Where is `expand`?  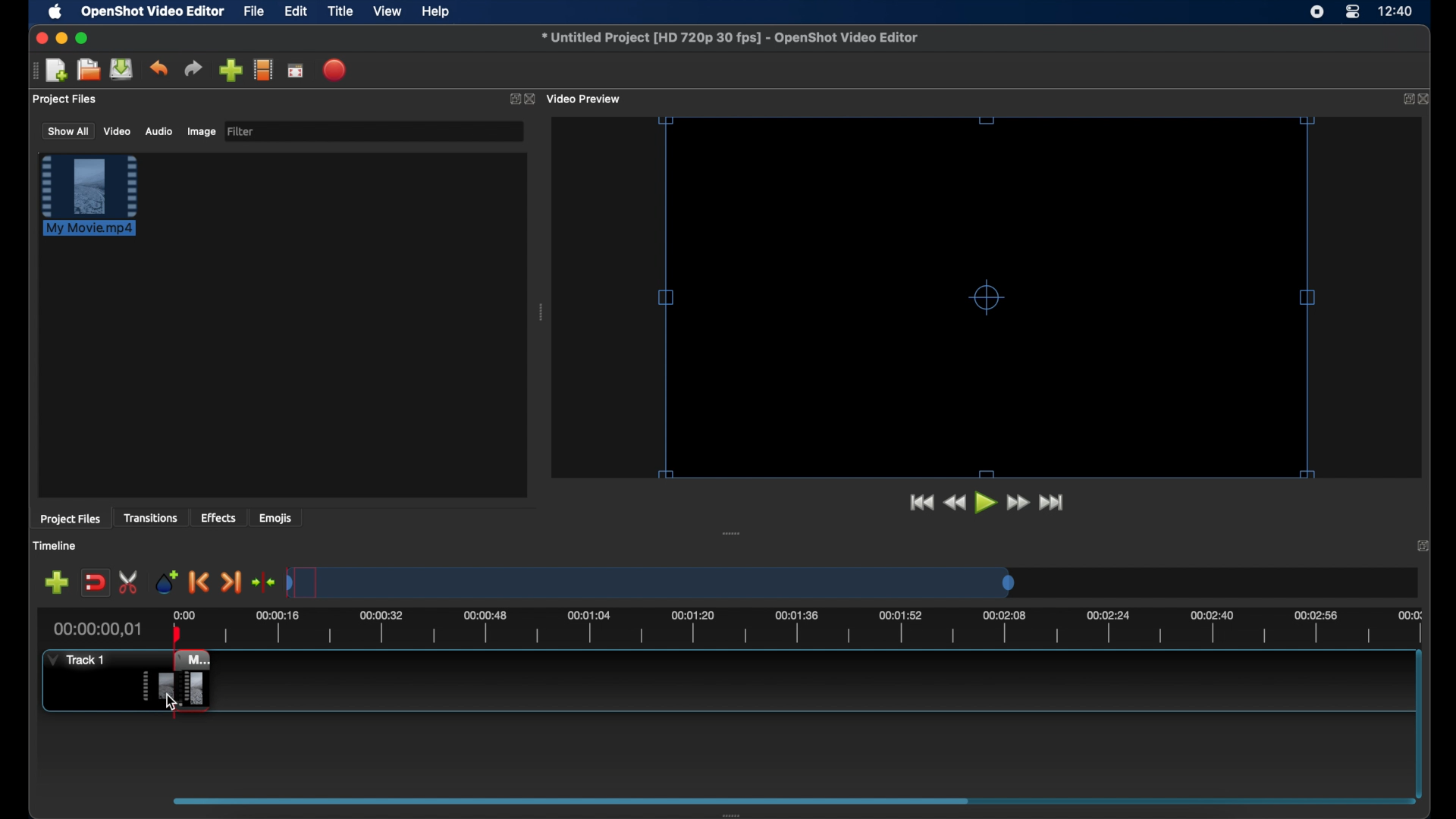 expand is located at coordinates (1423, 546).